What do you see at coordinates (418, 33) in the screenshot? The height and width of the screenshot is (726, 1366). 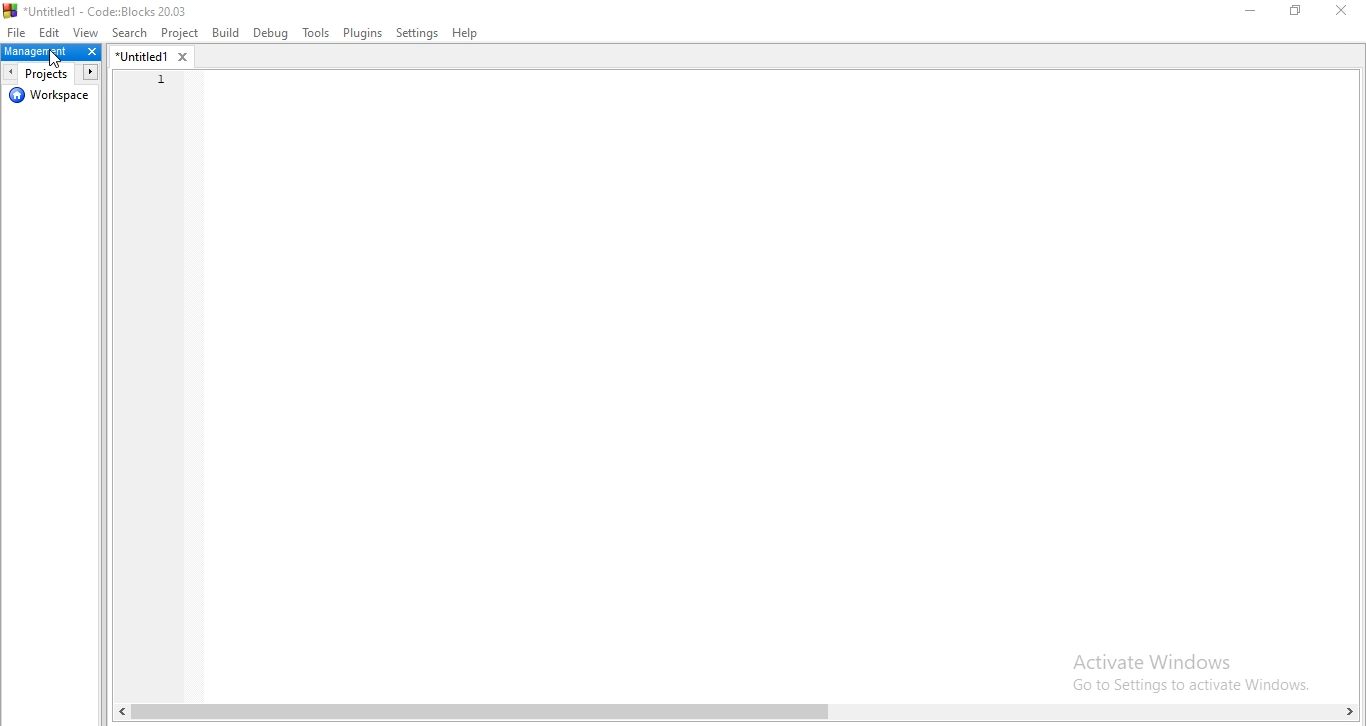 I see `Settings ` at bounding box center [418, 33].